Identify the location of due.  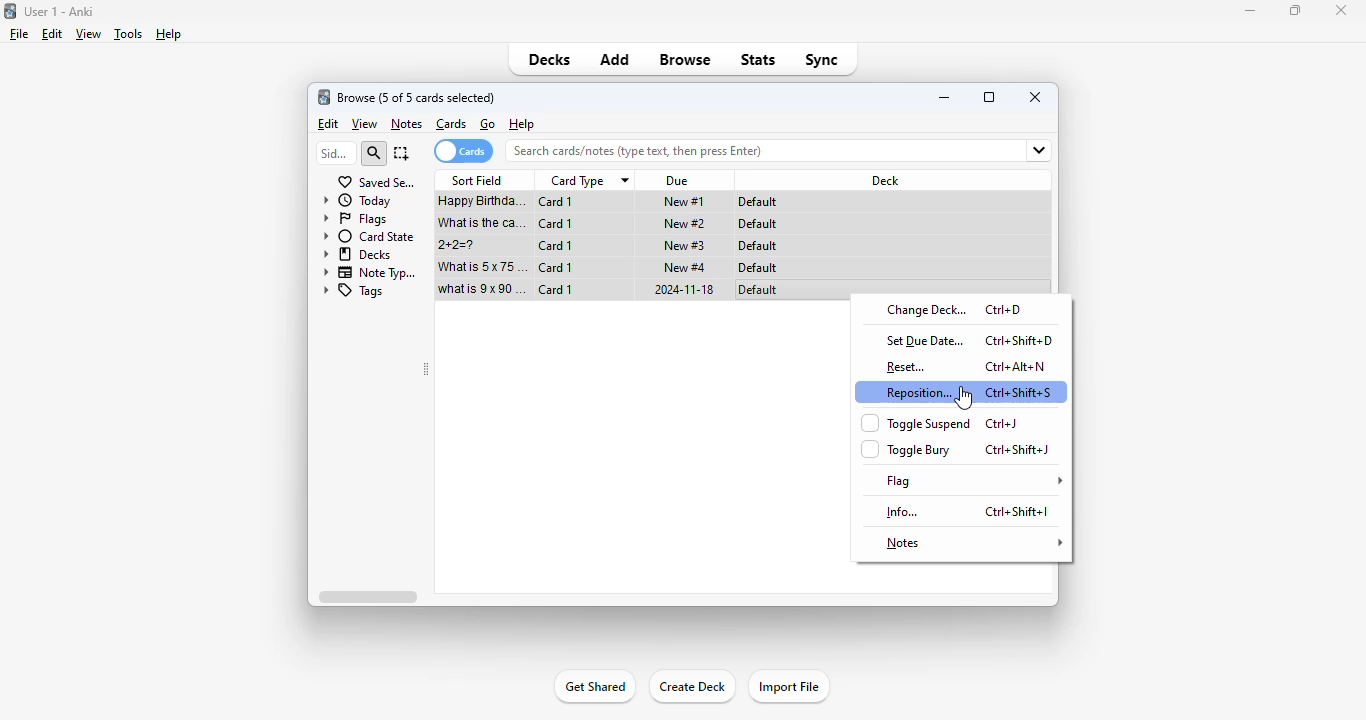
(679, 181).